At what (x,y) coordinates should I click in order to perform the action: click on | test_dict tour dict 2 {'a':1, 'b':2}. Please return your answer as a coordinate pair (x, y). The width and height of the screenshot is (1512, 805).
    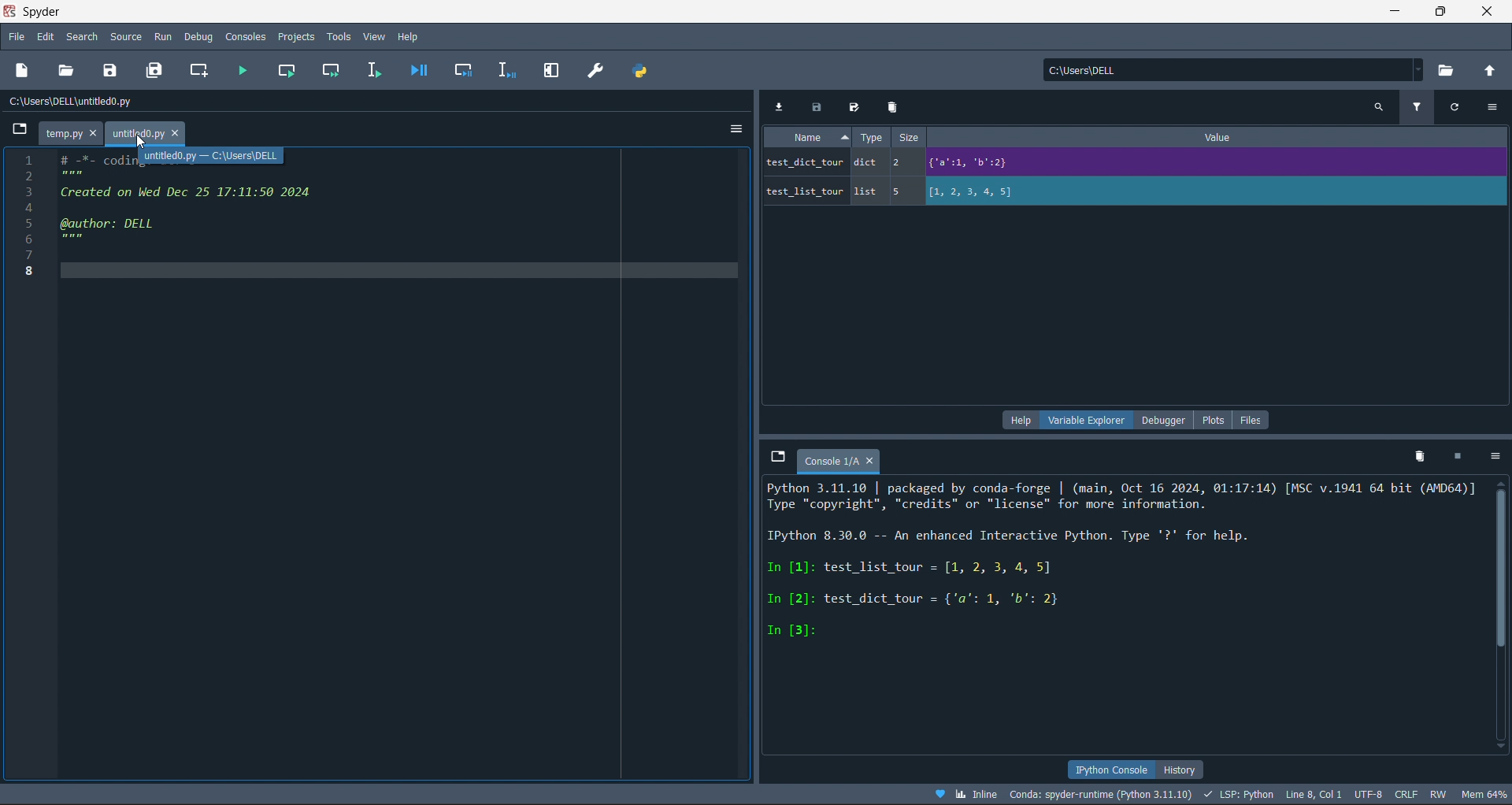
    Looking at the image, I should click on (1059, 163).